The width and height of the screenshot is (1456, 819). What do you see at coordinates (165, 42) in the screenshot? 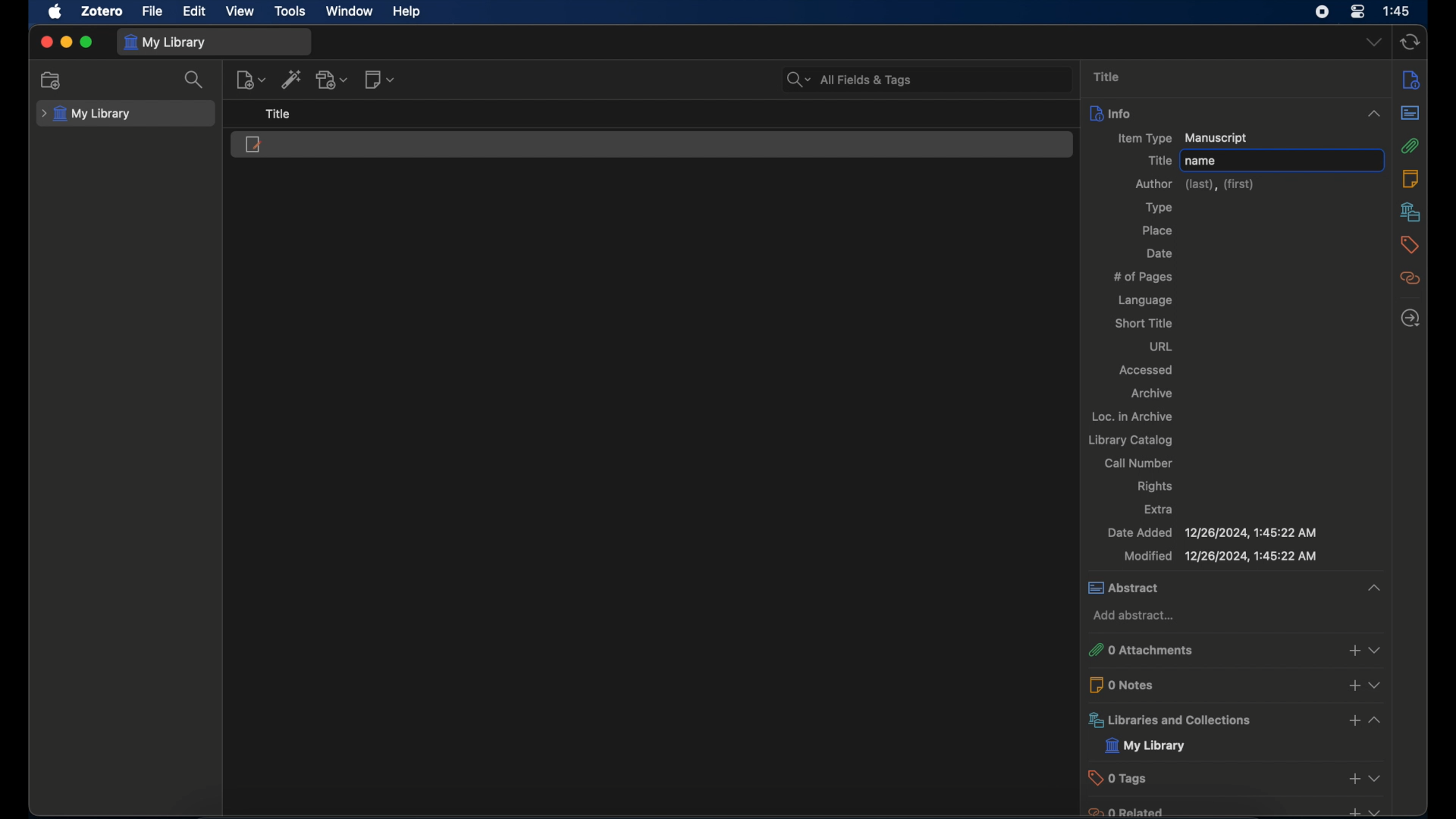
I see `my library` at bounding box center [165, 42].